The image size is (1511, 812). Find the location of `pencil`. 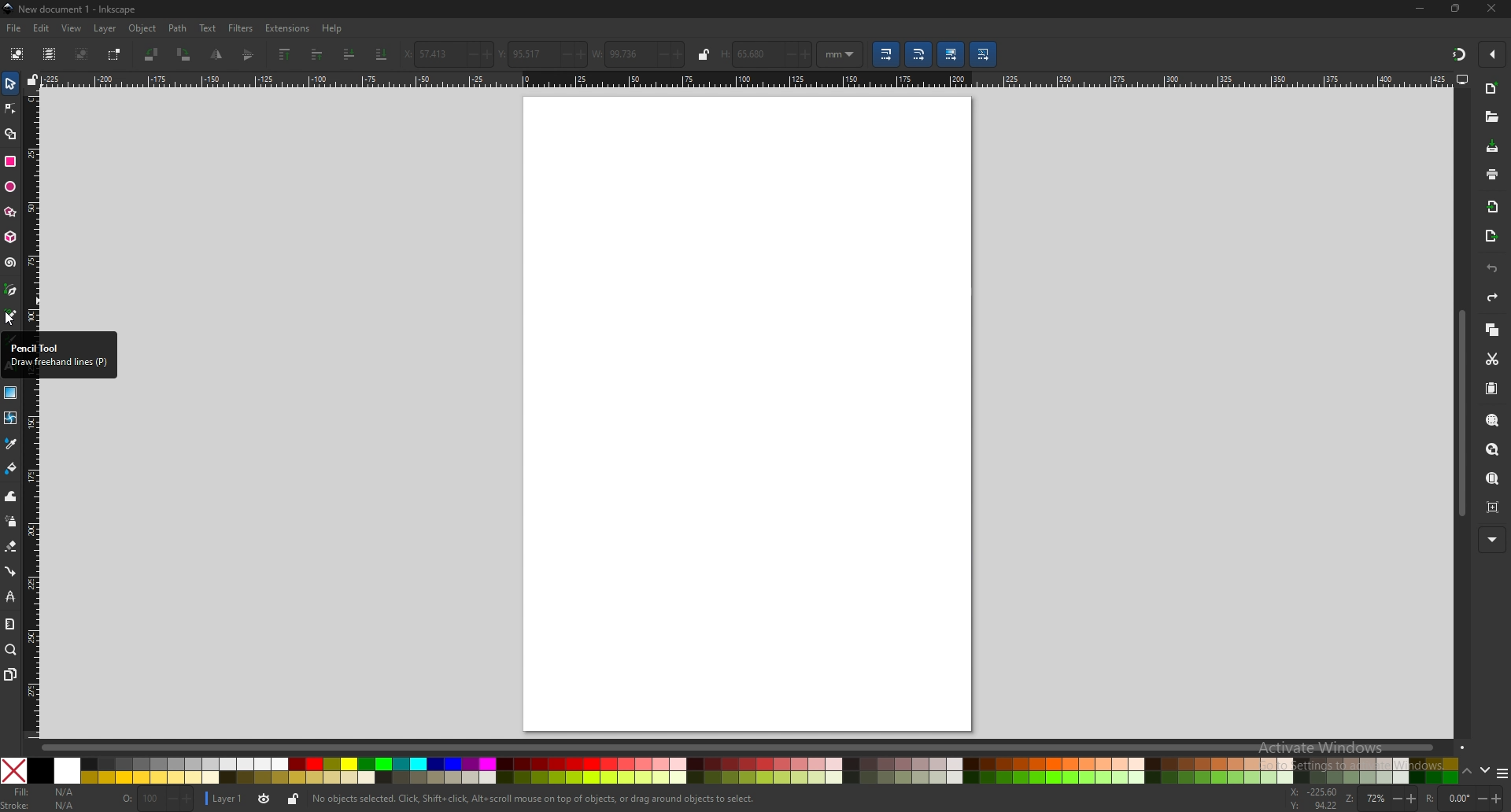

pencil is located at coordinates (10, 317).